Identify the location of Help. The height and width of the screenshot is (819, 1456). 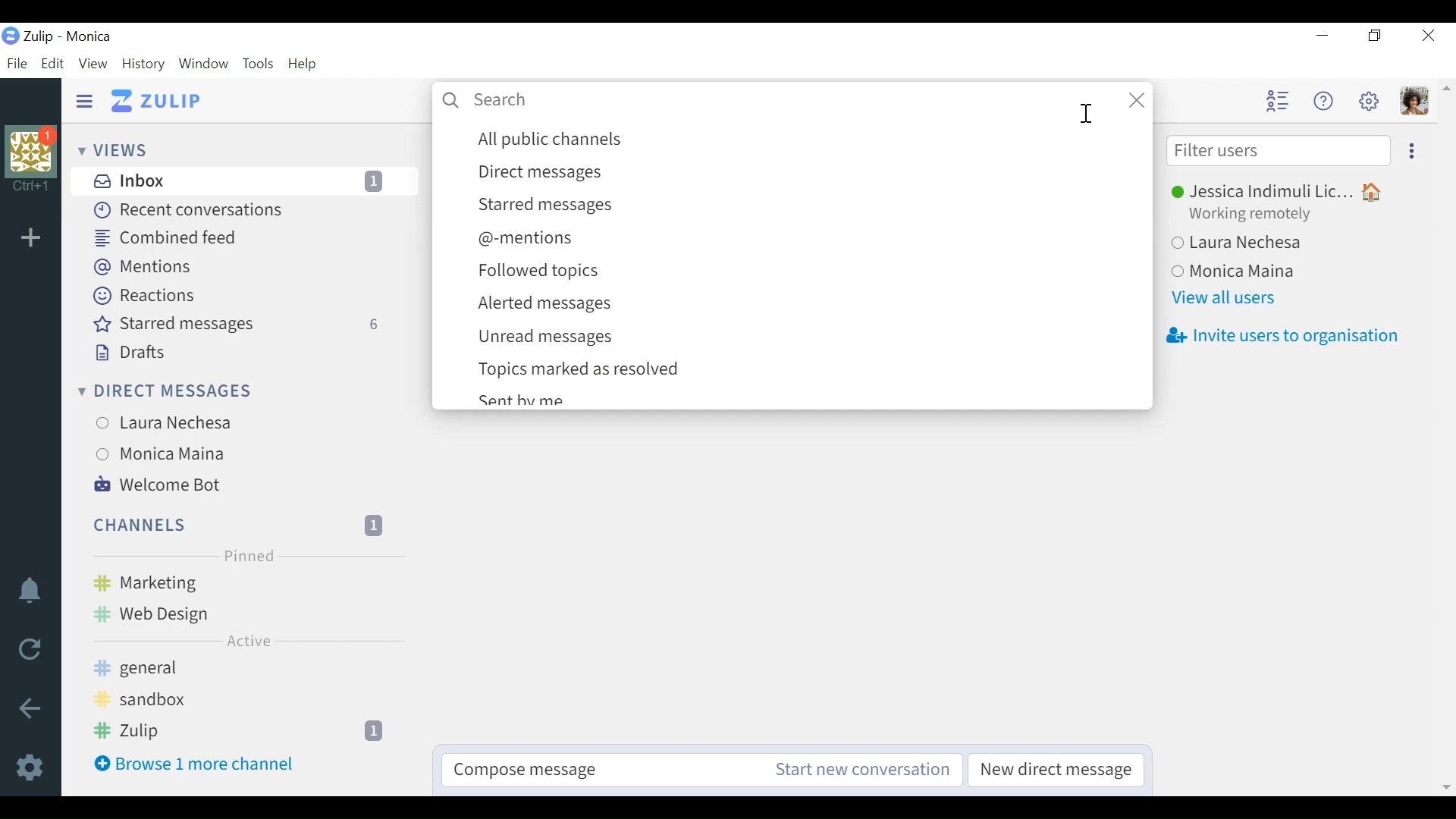
(303, 64).